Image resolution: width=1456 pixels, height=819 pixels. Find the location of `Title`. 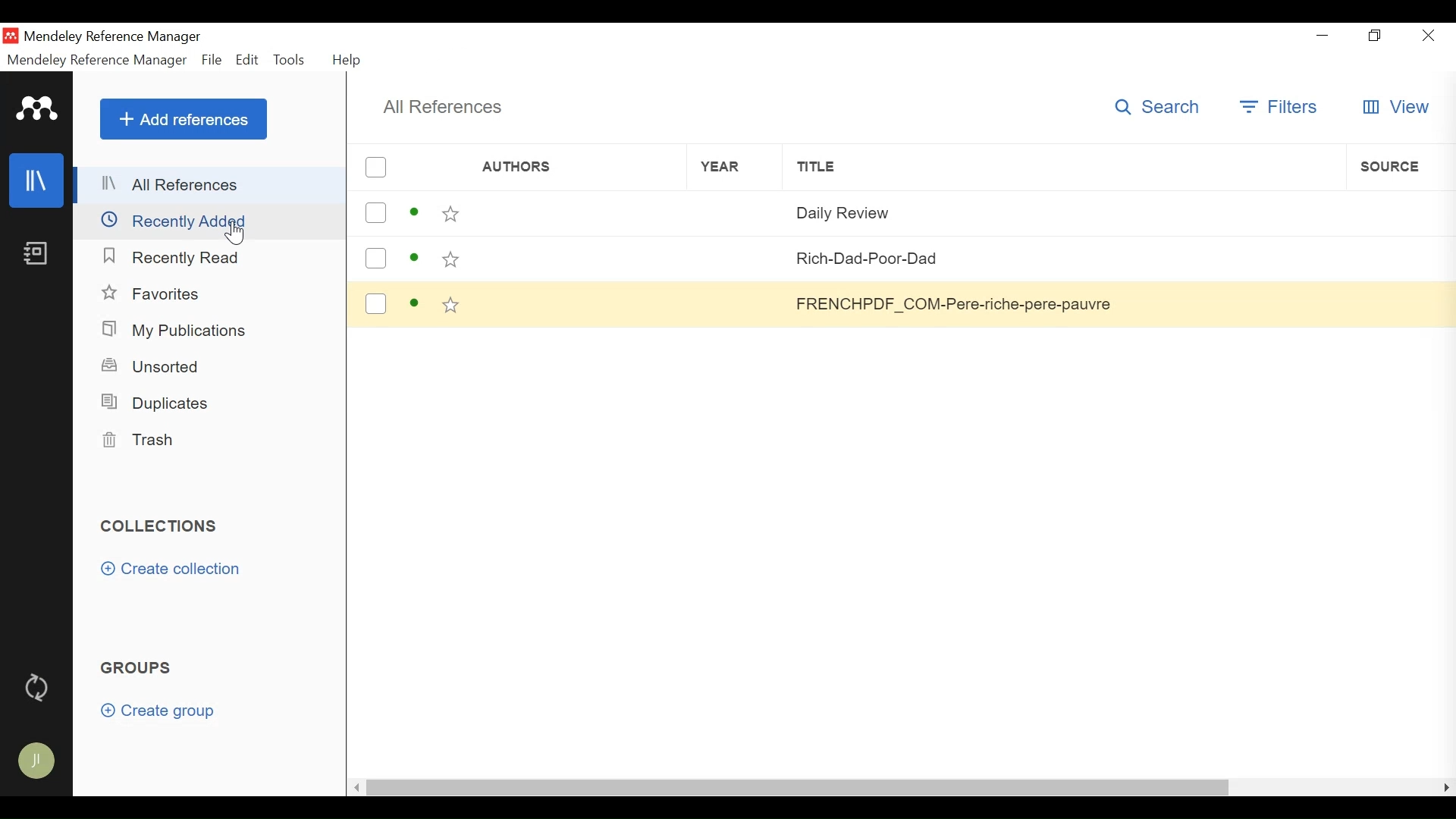

Title is located at coordinates (1058, 303).